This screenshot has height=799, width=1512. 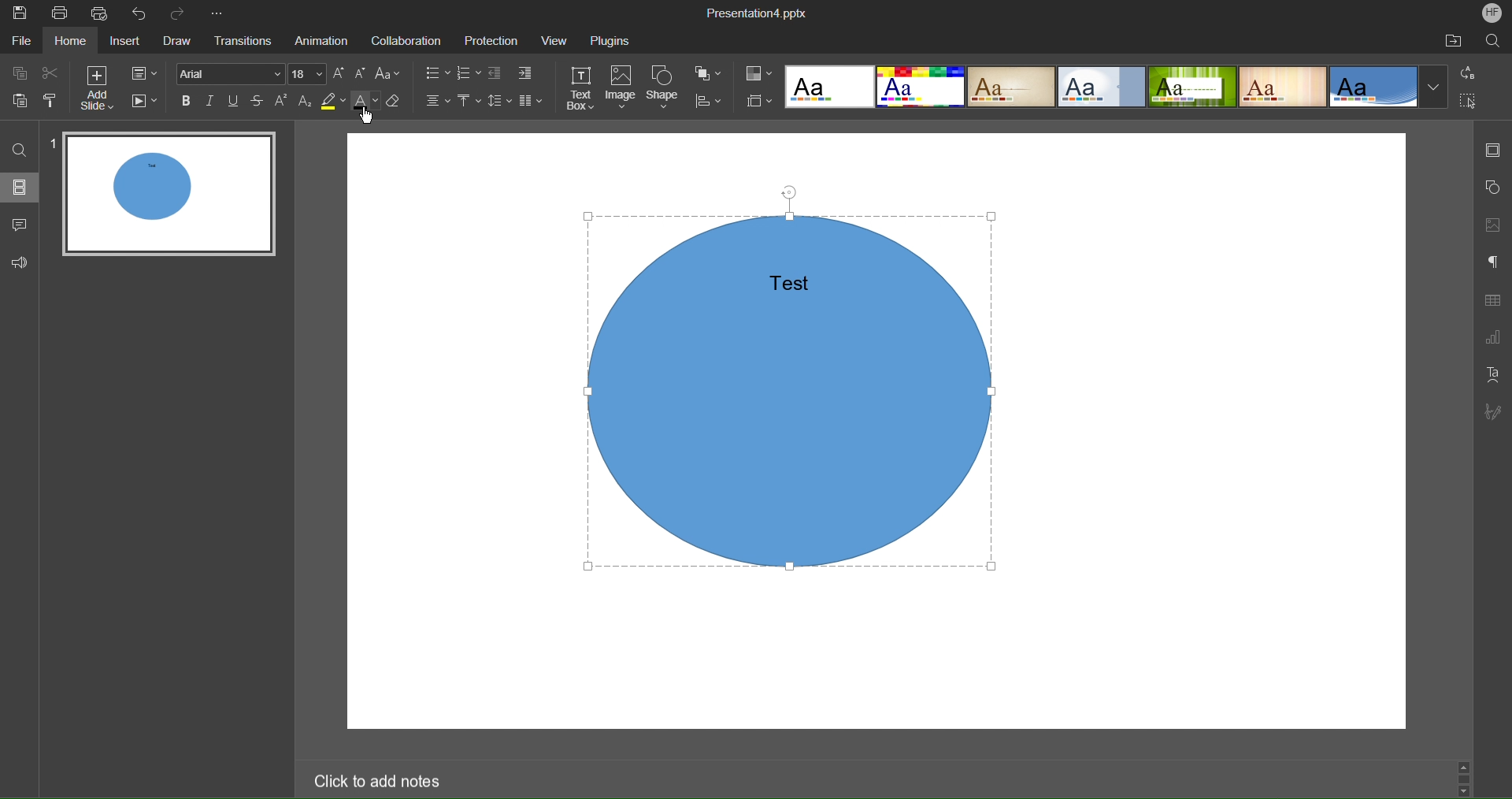 I want to click on Vertical Alignment, so click(x=472, y=102).